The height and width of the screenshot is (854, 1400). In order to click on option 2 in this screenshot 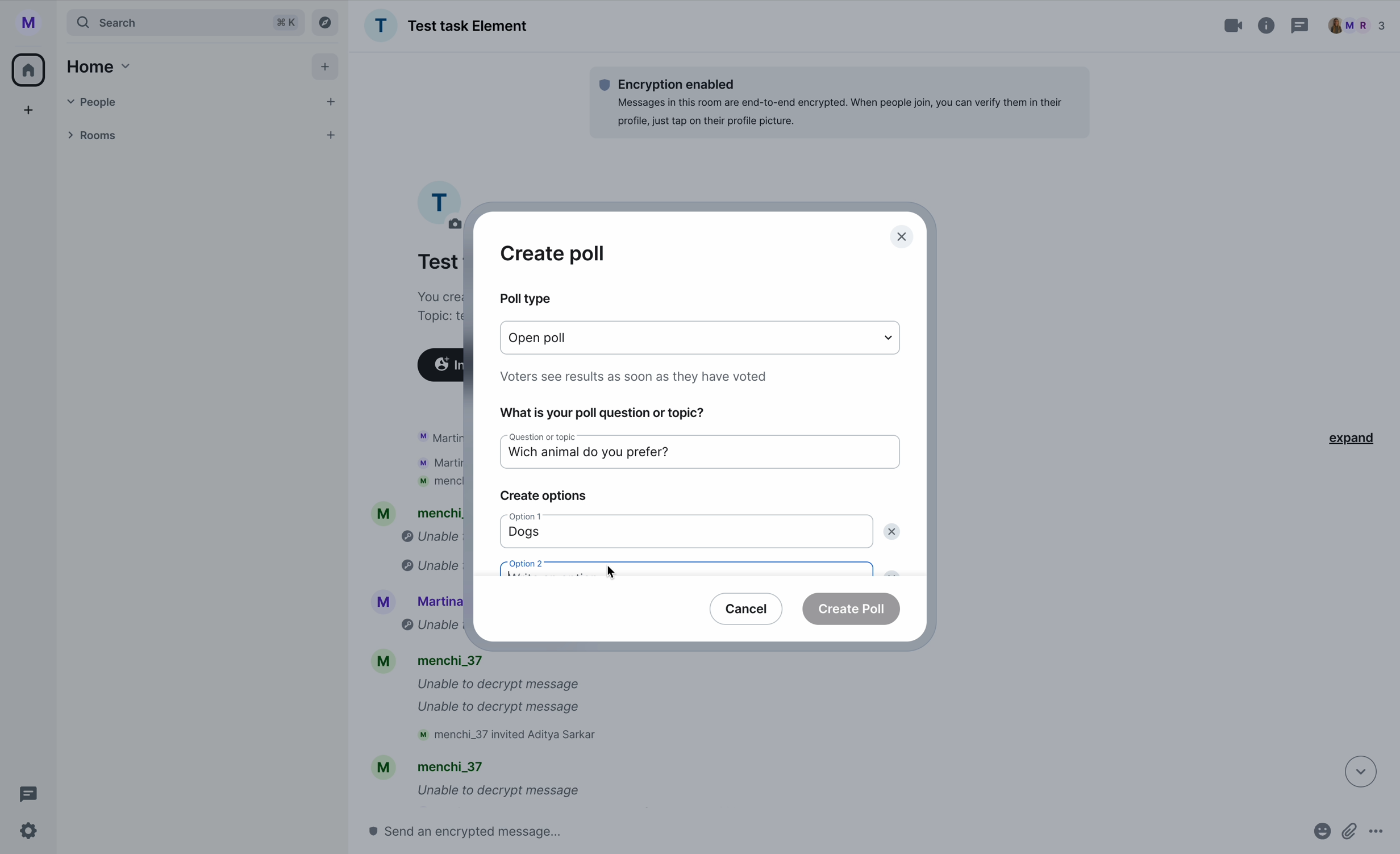, I will do `click(687, 566)`.